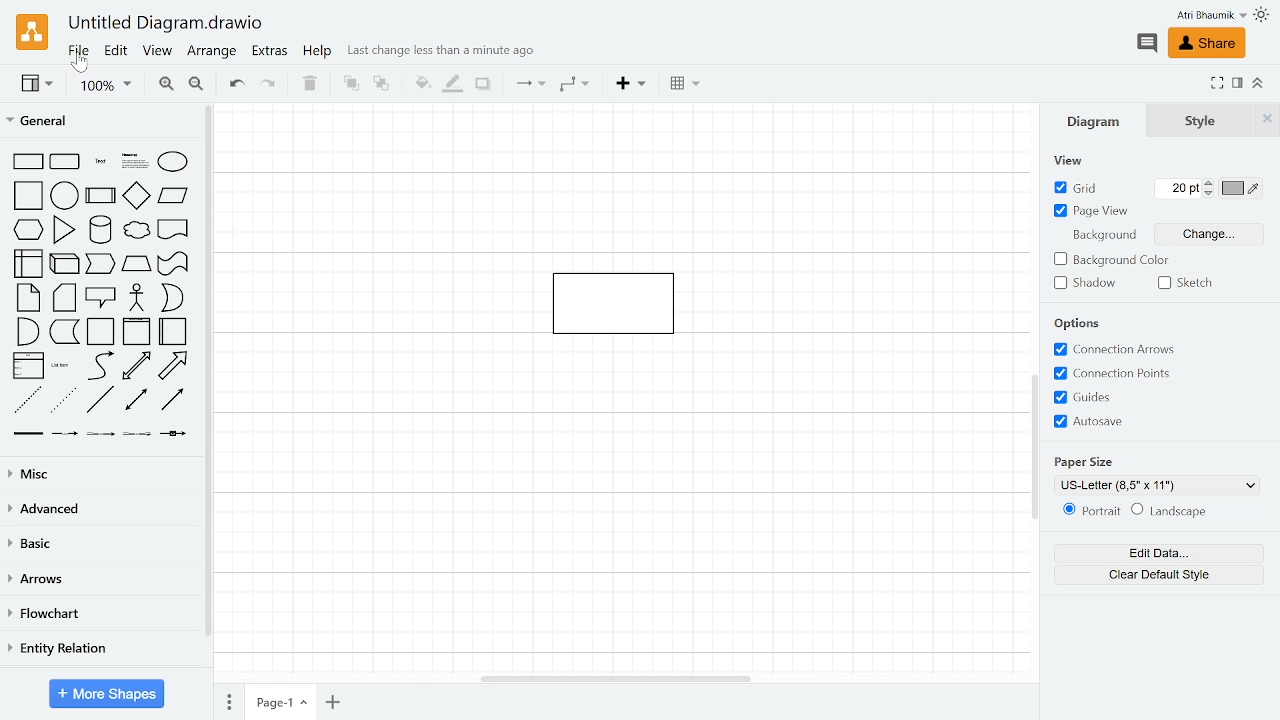 This screenshot has height=720, width=1280. I want to click on Redo, so click(268, 85).